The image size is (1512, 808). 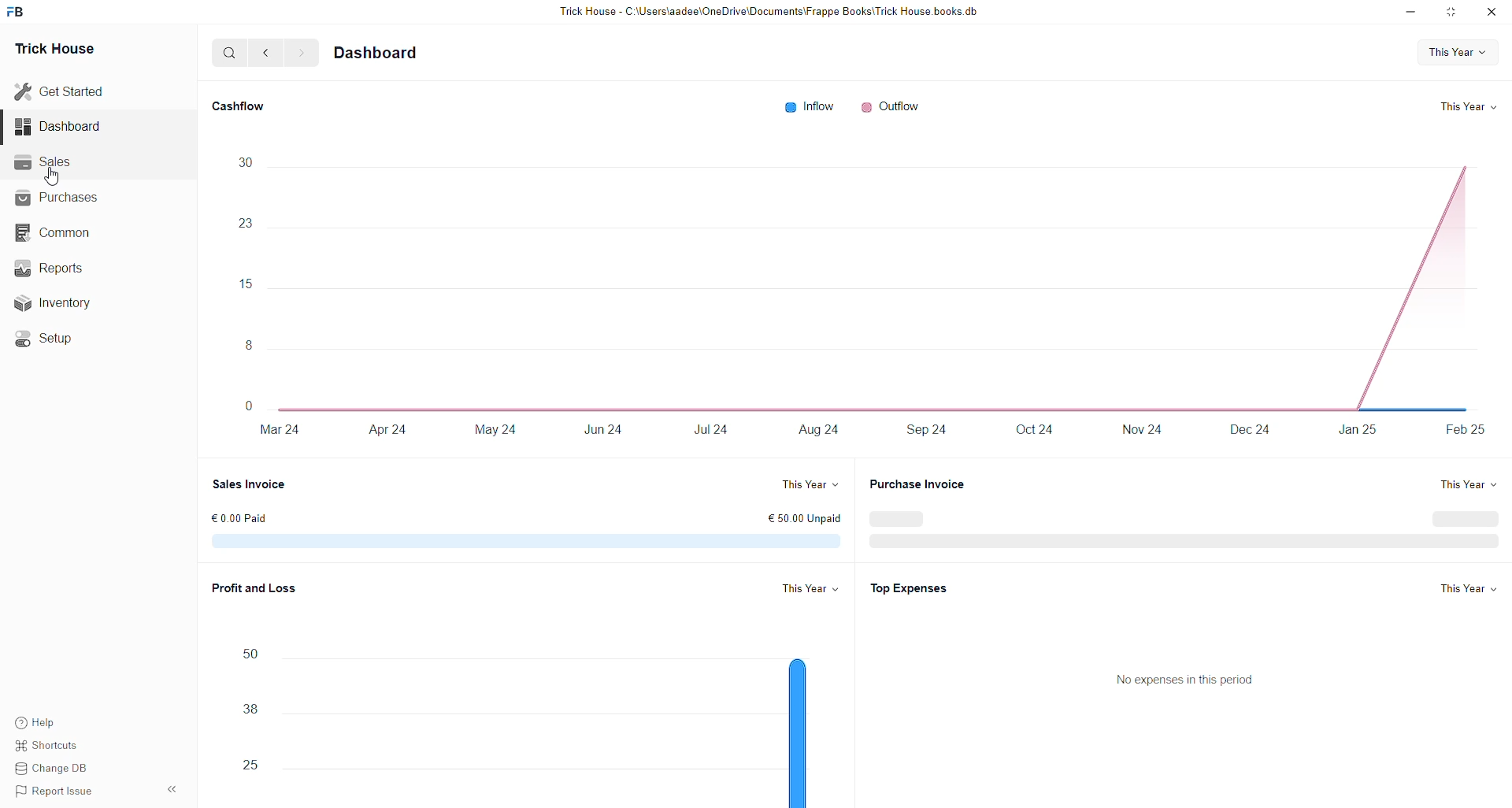 What do you see at coordinates (891, 105) in the screenshot?
I see `Outflow` at bounding box center [891, 105].